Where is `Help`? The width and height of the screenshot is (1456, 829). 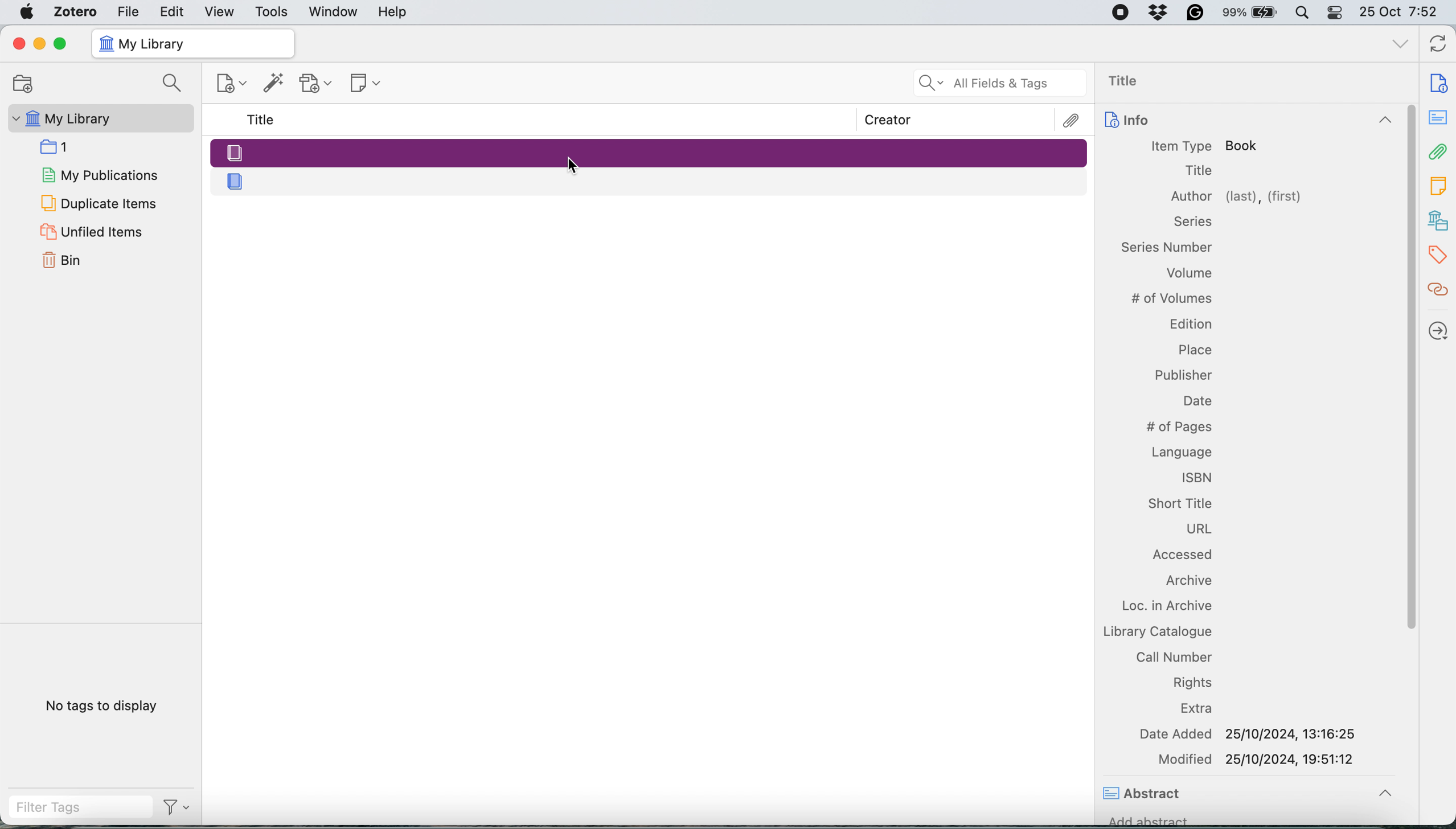
Help is located at coordinates (392, 11).